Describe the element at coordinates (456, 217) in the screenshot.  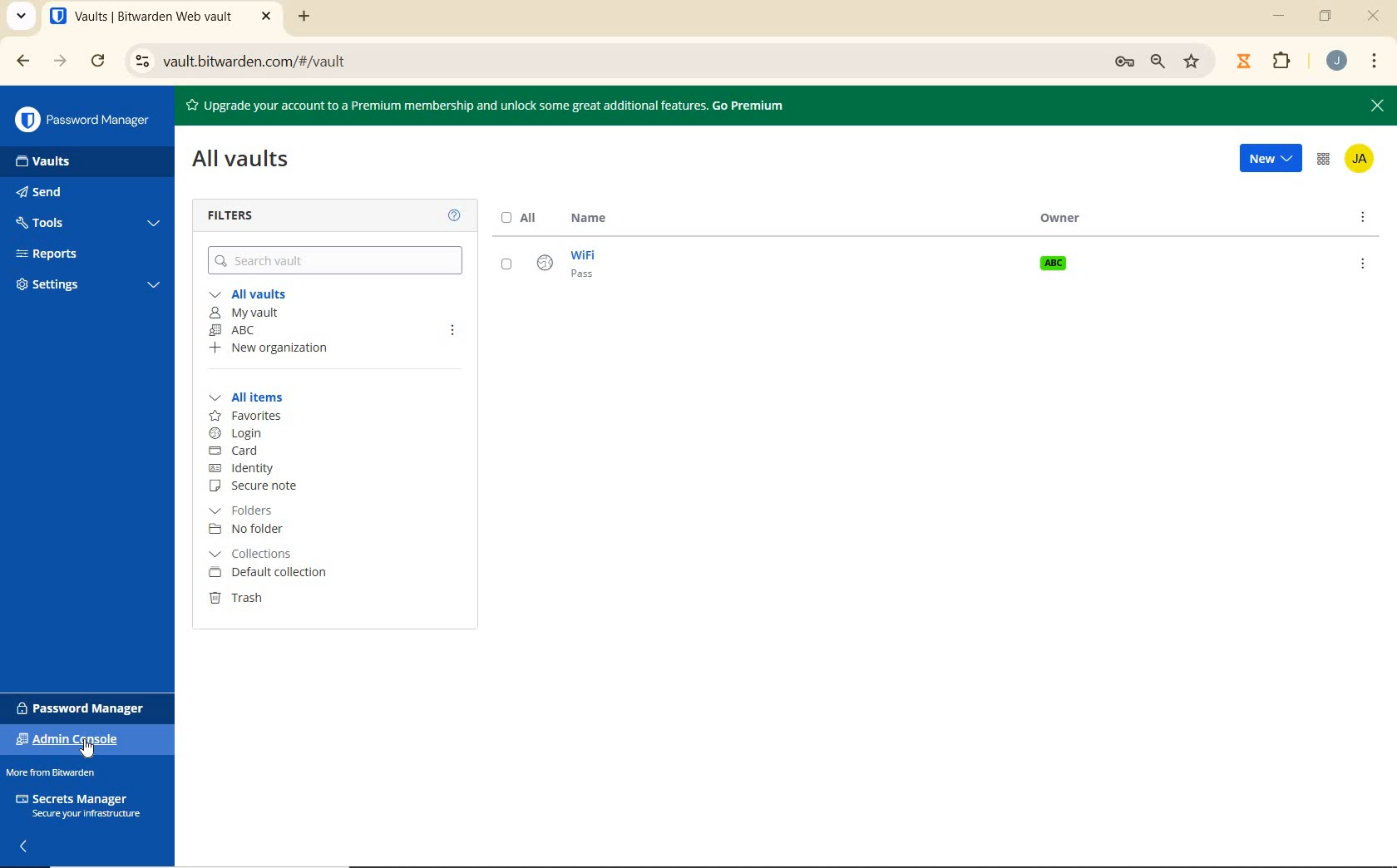
I see `HELP` at that location.